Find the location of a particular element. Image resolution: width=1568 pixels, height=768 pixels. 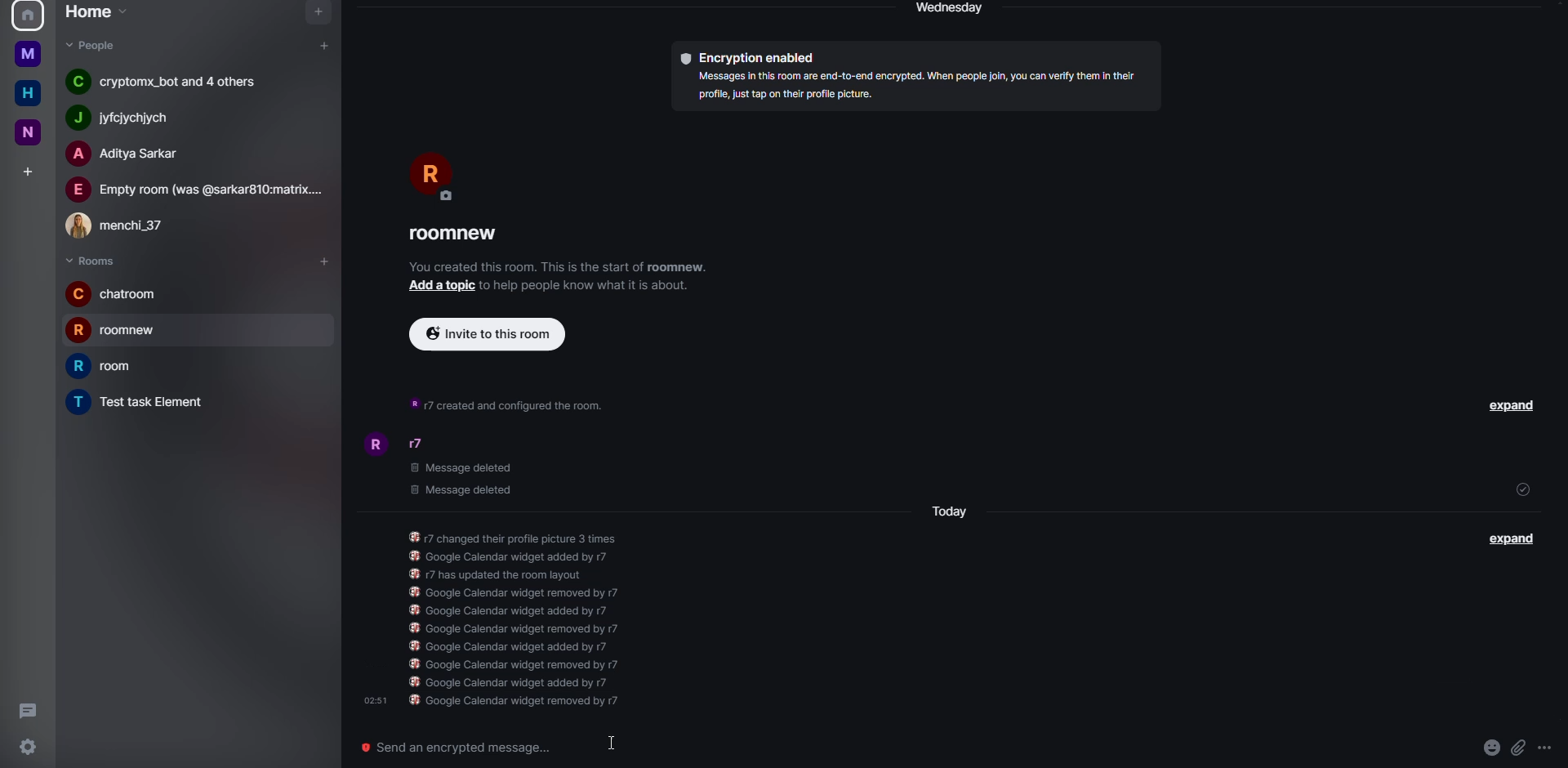

info is located at coordinates (918, 87).